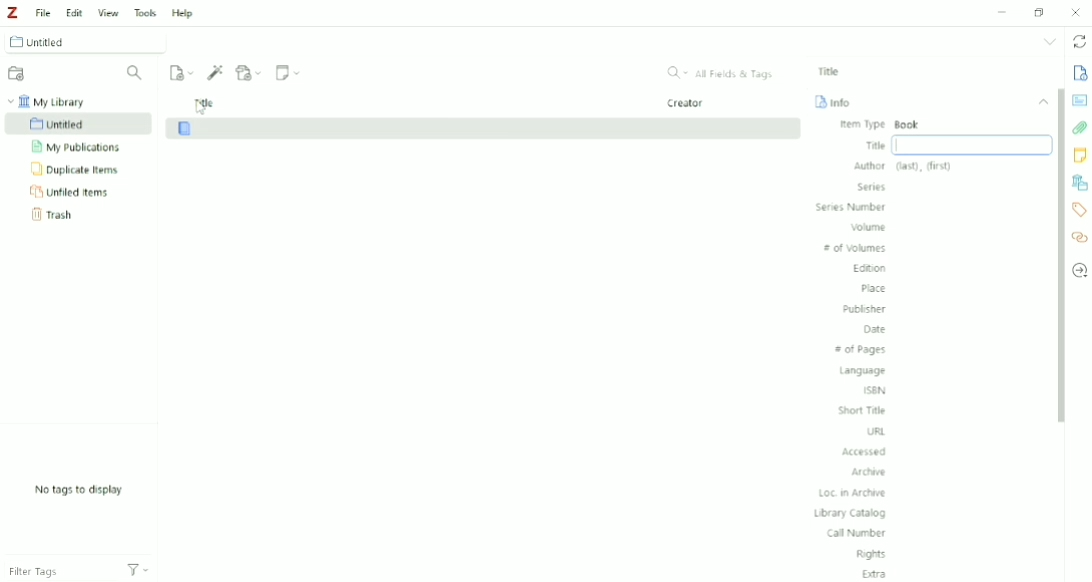 The width and height of the screenshot is (1092, 582). I want to click on No tags to display, so click(79, 490).